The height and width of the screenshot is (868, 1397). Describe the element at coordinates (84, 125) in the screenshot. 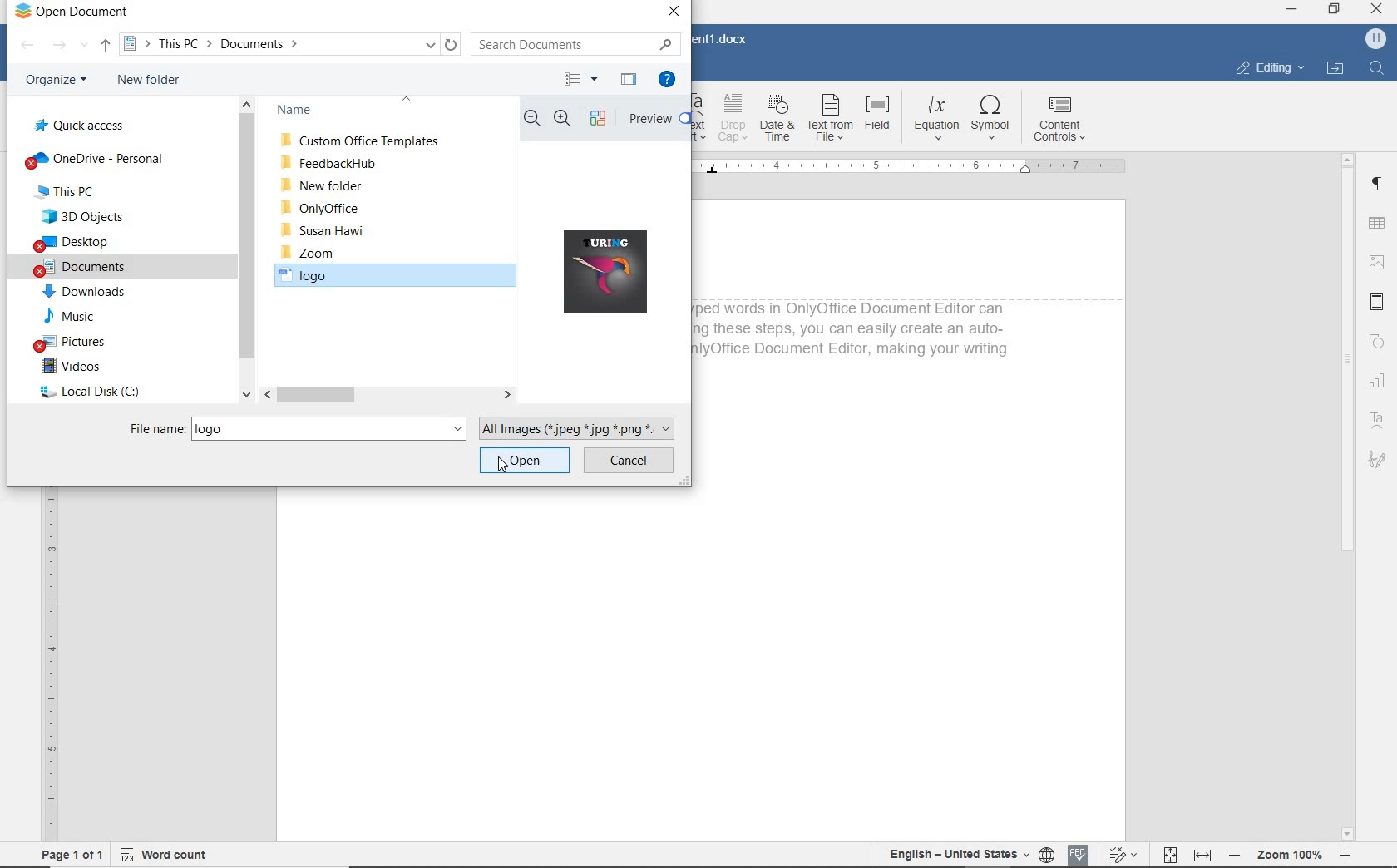

I see `QUICK ACCESS` at that location.